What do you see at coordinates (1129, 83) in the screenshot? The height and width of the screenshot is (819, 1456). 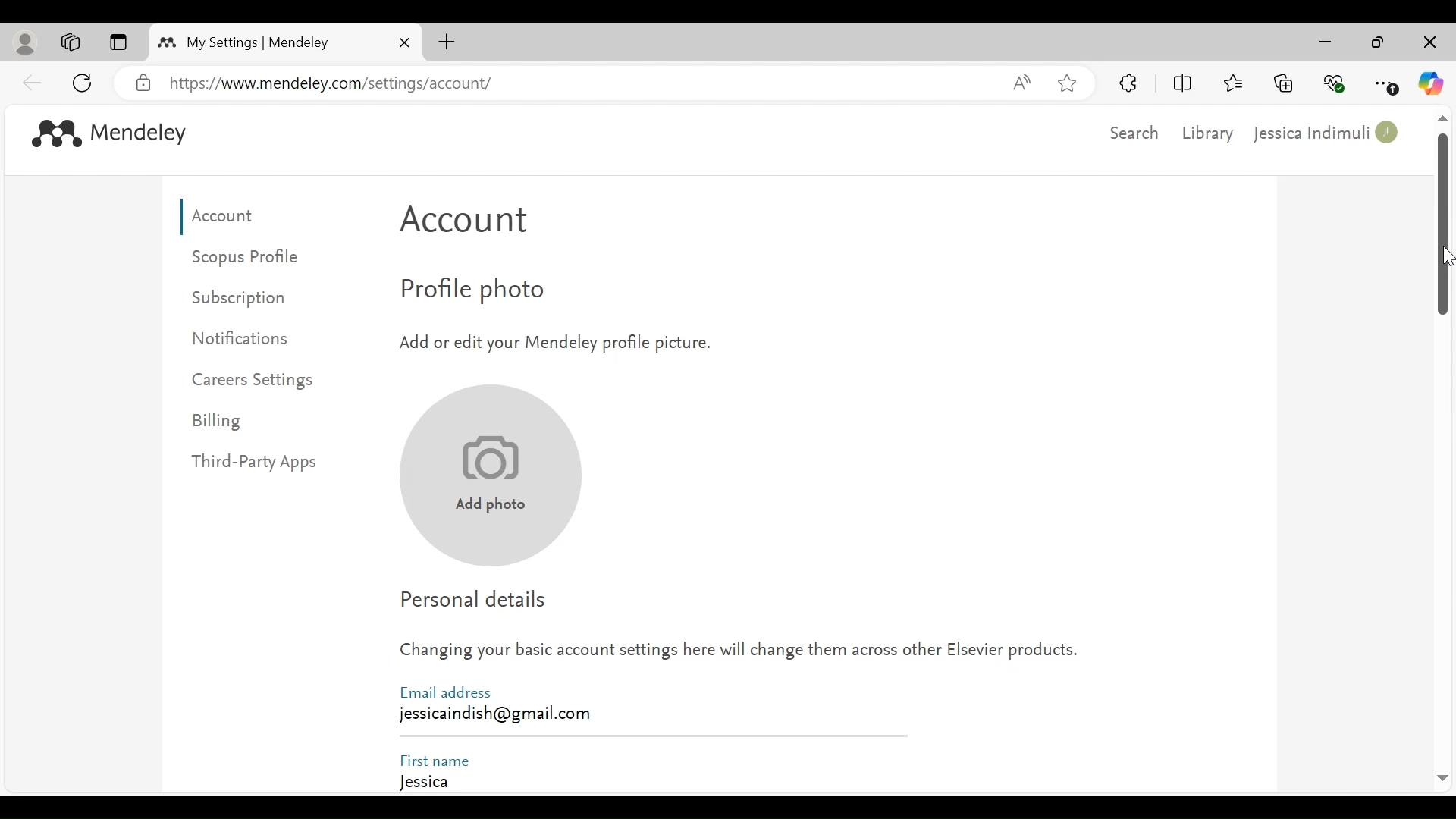 I see `Extensions` at bounding box center [1129, 83].